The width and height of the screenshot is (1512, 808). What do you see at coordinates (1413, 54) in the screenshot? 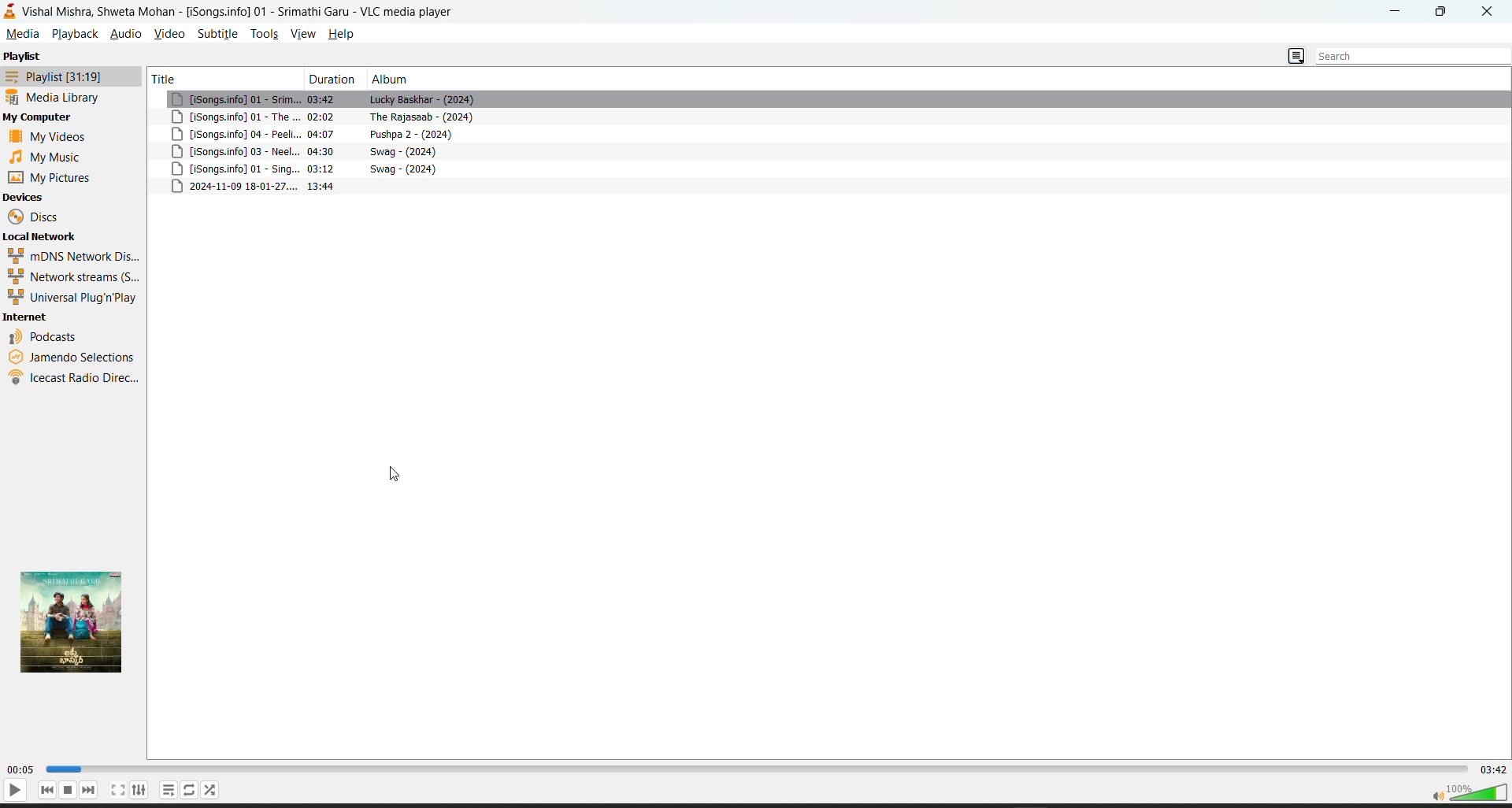
I see `search` at bounding box center [1413, 54].